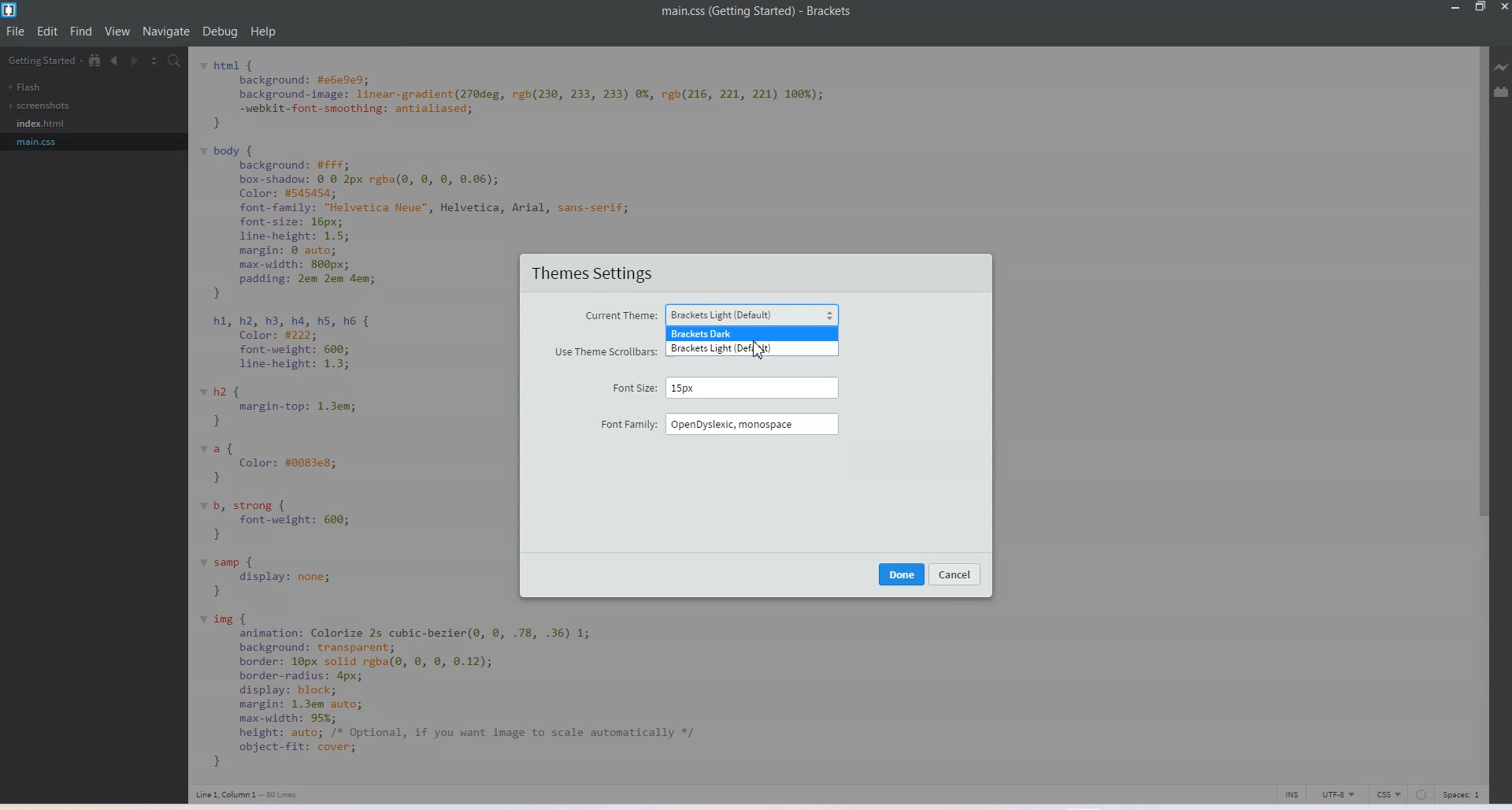 The image size is (1512, 810). Describe the element at coordinates (82, 31) in the screenshot. I see `Find` at that location.